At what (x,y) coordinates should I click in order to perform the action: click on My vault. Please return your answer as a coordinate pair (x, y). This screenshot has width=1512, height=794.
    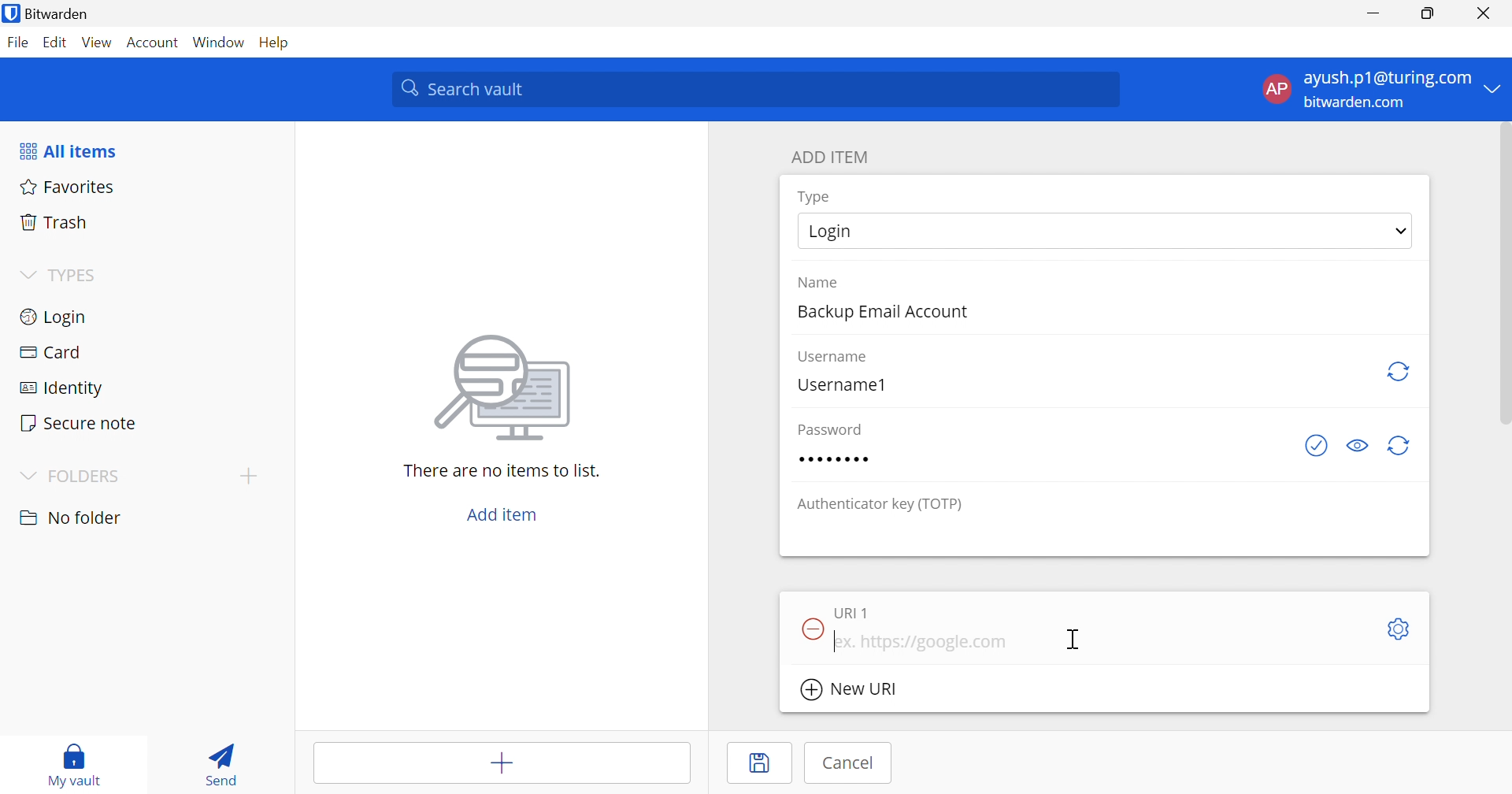
    Looking at the image, I should click on (74, 766).